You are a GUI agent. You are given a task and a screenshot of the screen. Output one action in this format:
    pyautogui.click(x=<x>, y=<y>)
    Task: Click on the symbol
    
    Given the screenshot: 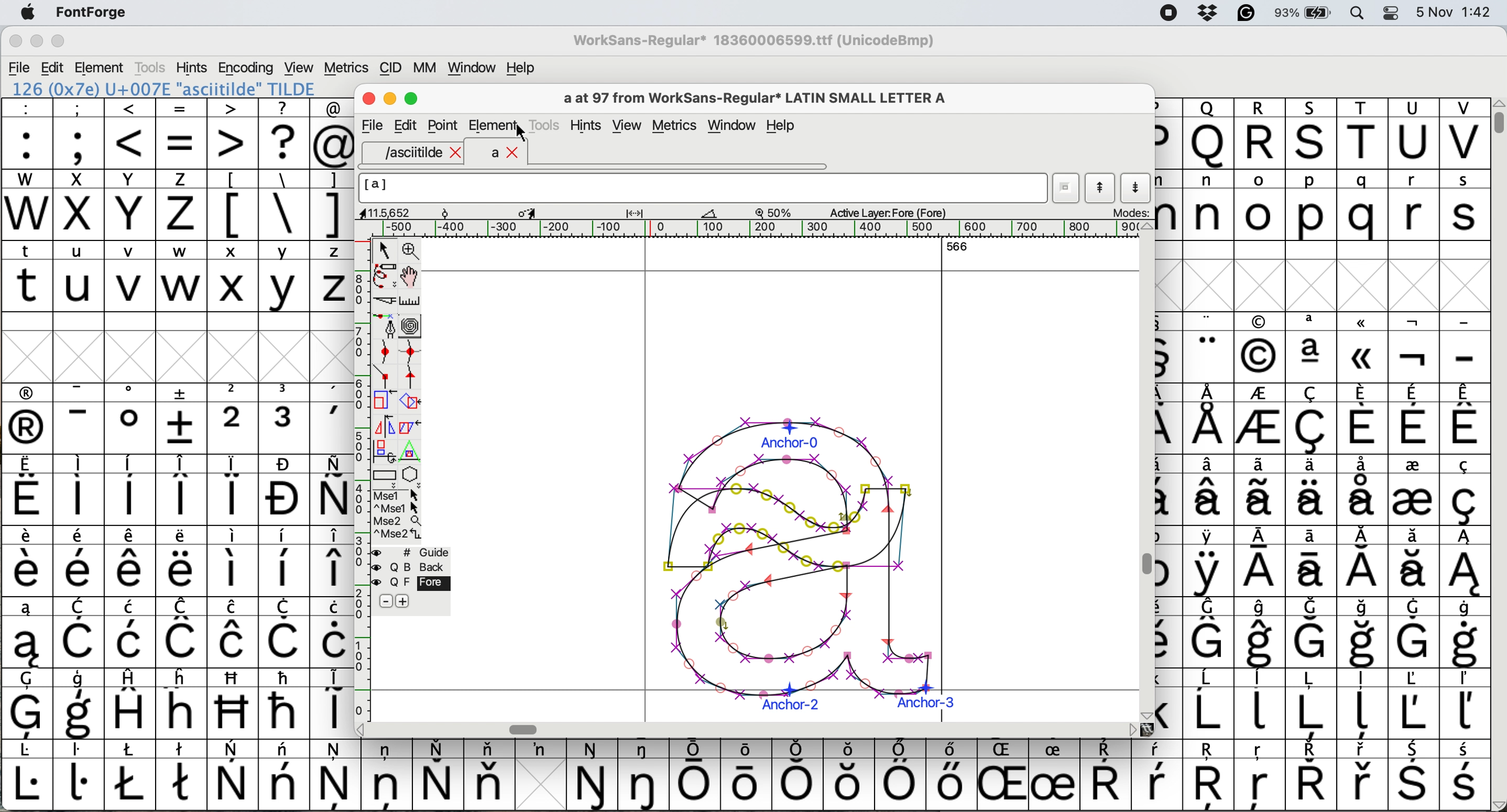 What is the action you would take?
    pyautogui.click(x=1363, y=418)
    